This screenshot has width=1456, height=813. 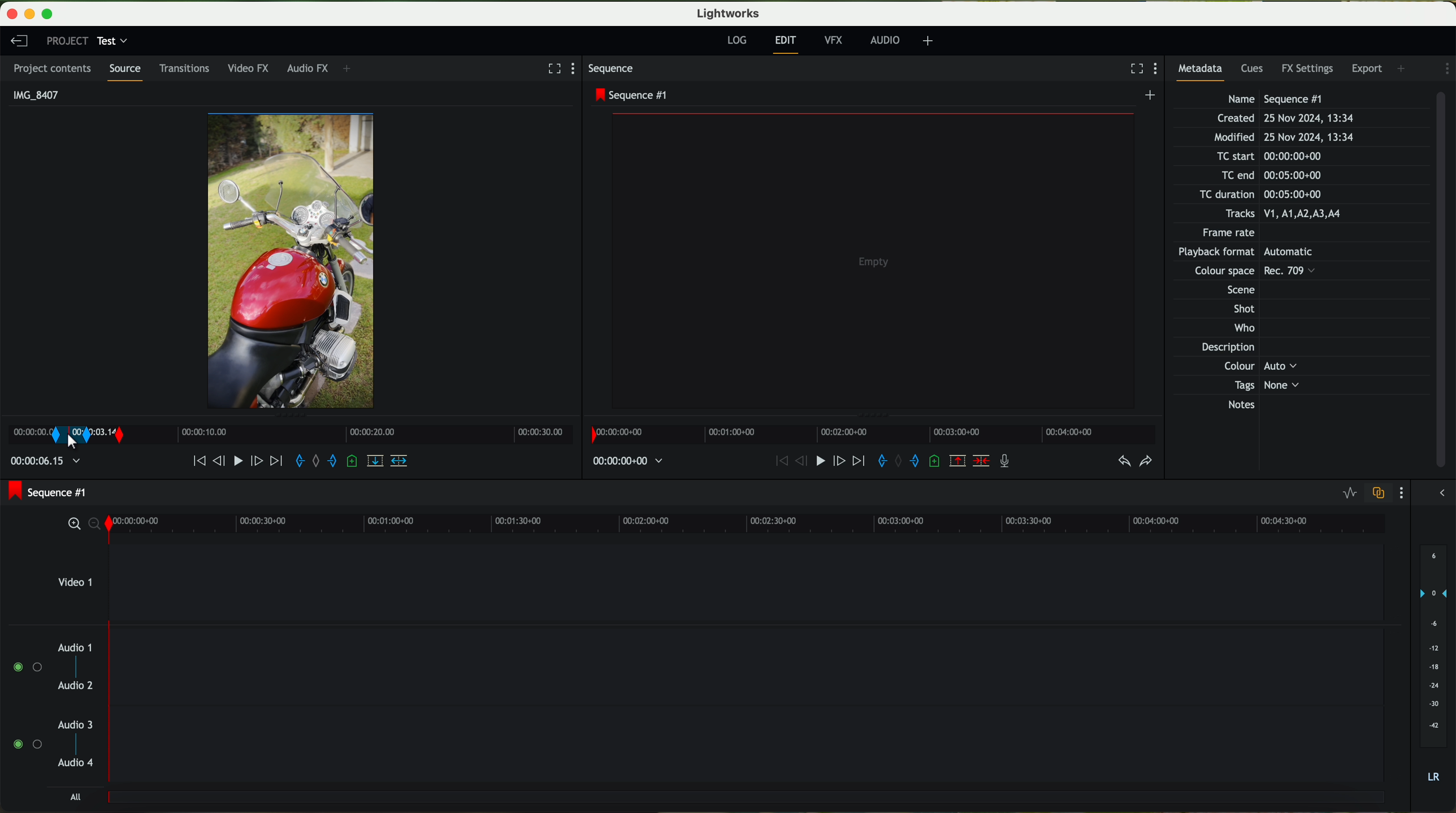 I want to click on +, so click(x=928, y=42).